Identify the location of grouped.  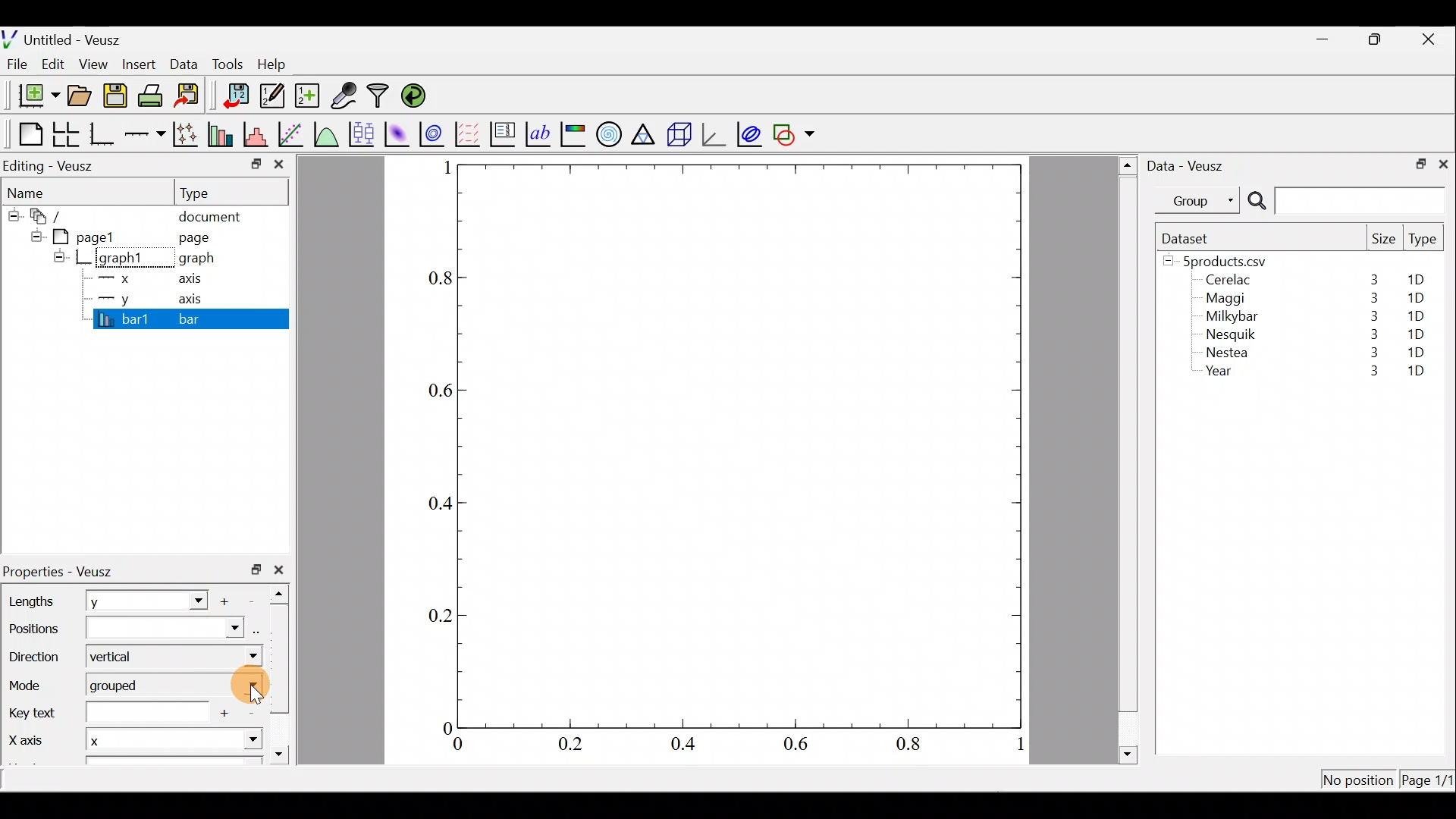
(124, 686).